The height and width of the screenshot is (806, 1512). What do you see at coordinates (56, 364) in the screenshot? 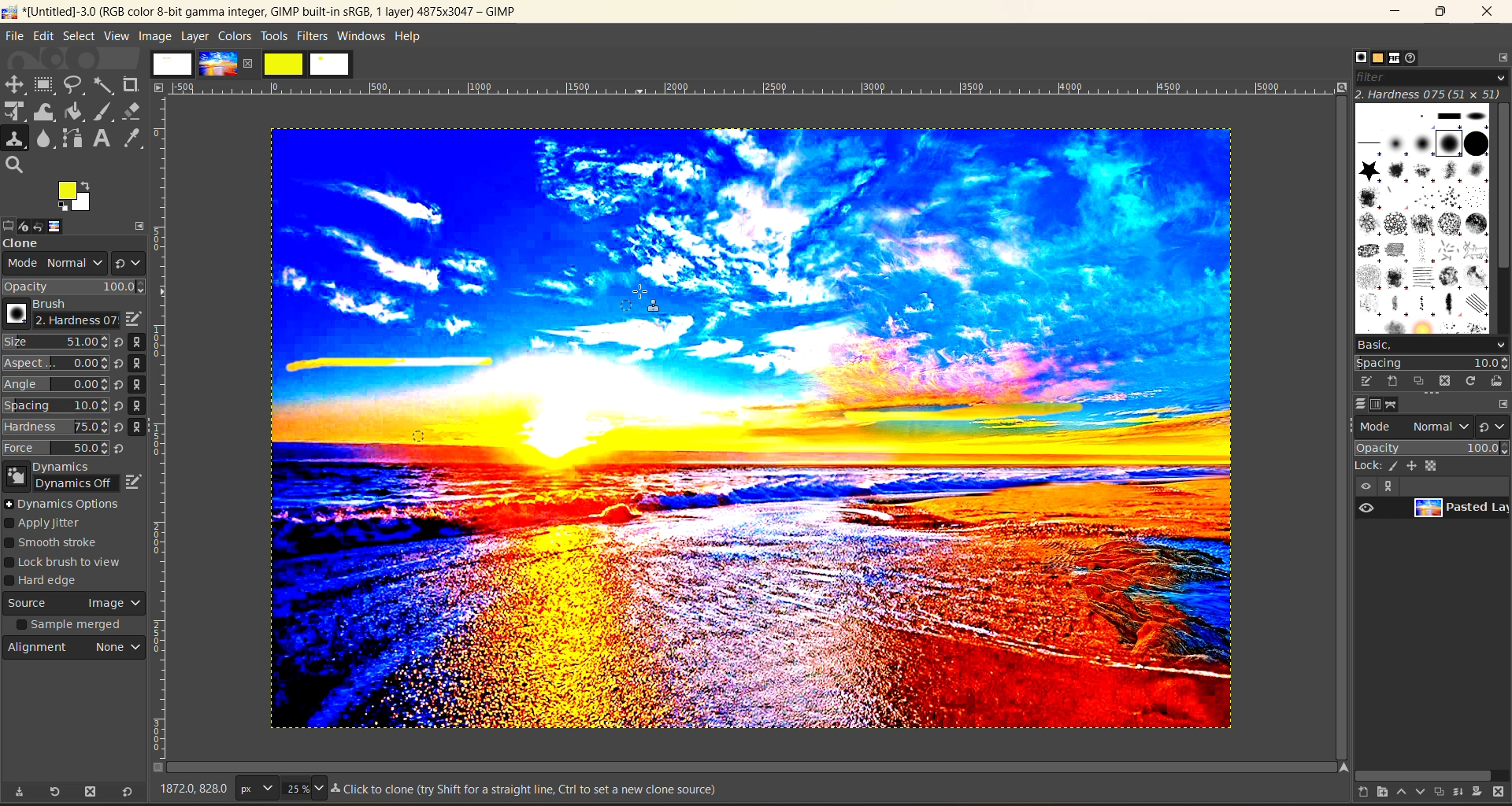
I see `Aspect... 0.00` at bounding box center [56, 364].